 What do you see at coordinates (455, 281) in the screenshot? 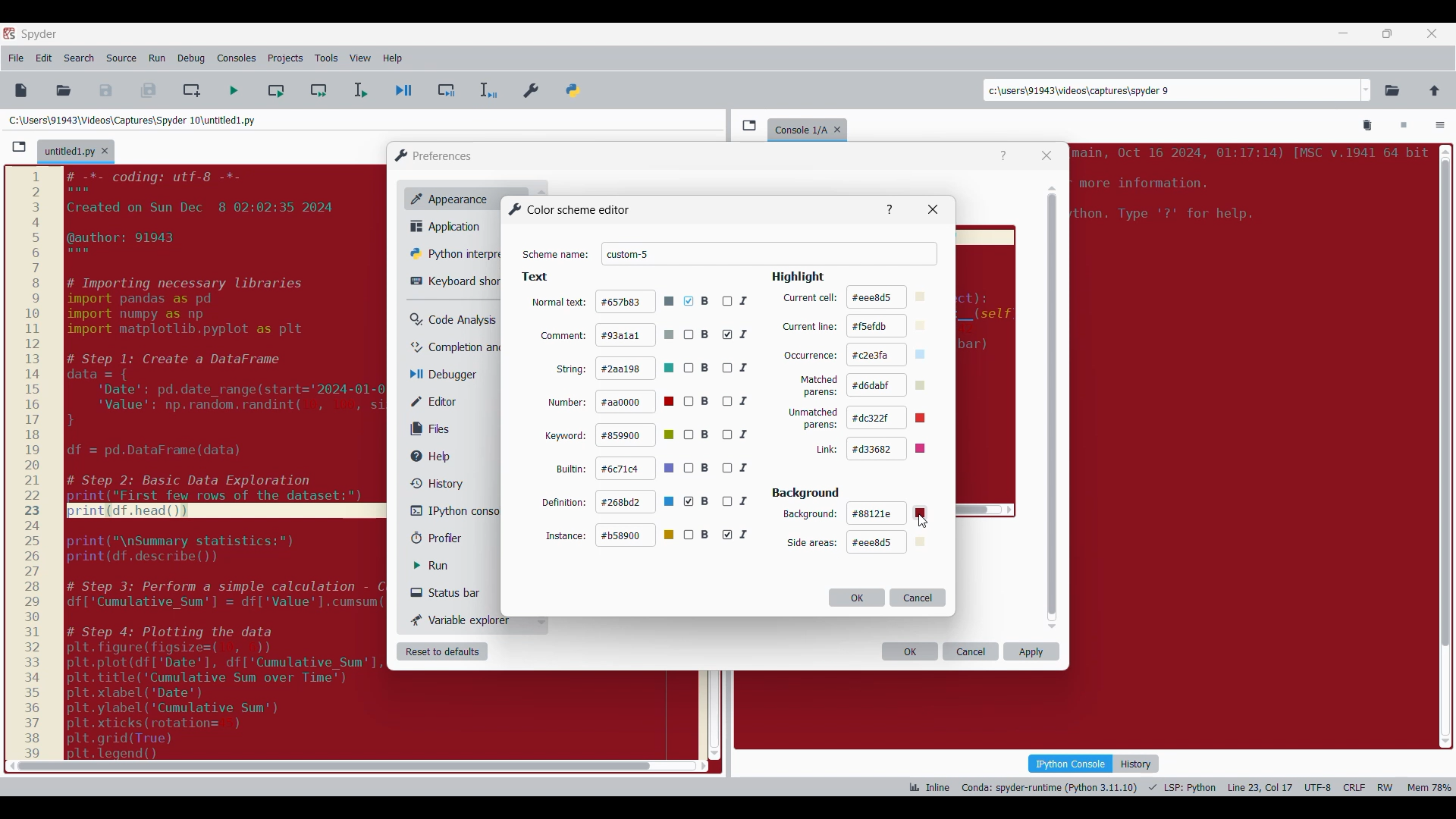
I see `Keyboard shortcut` at bounding box center [455, 281].